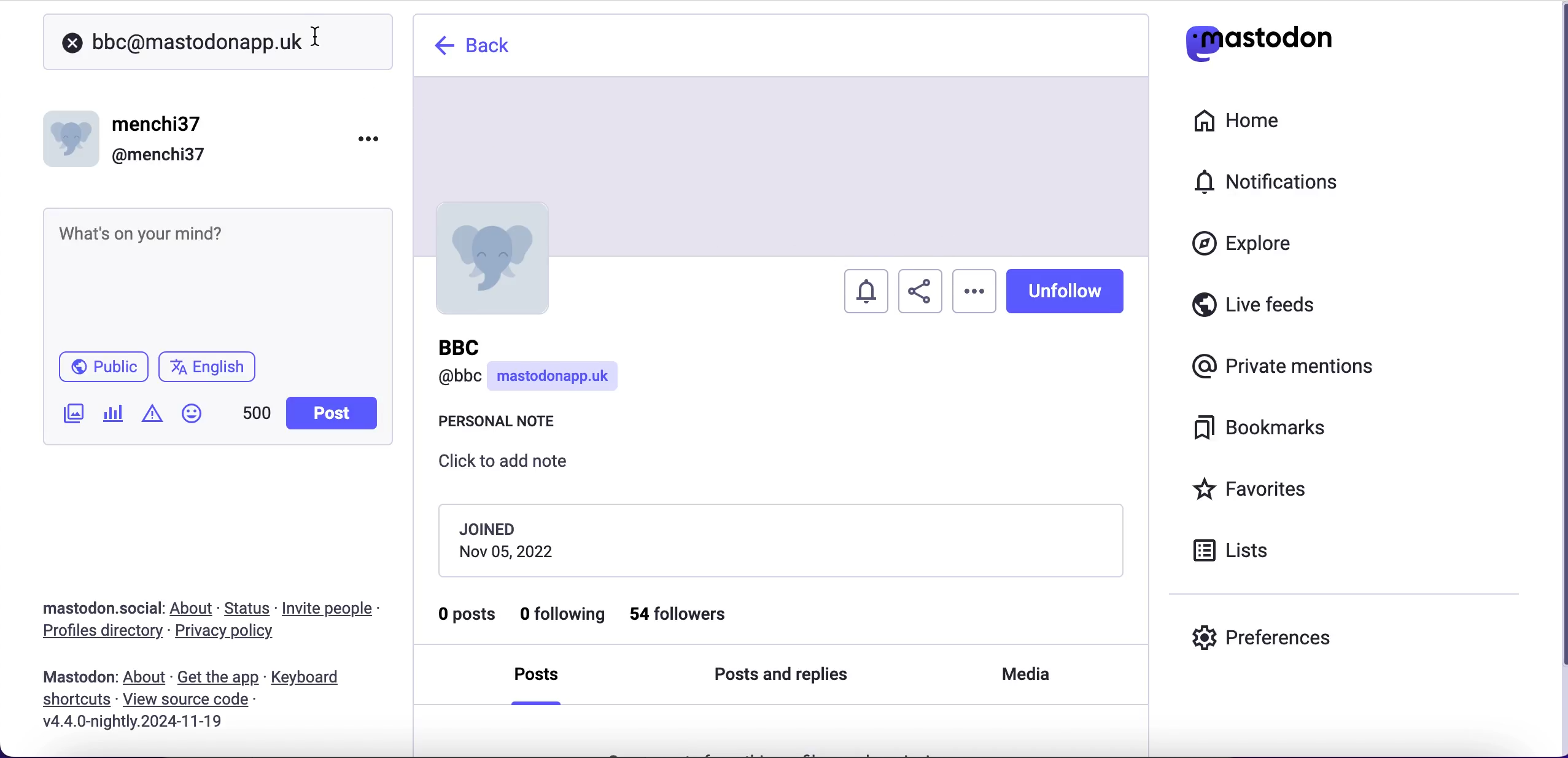 This screenshot has height=758, width=1568. I want to click on text cursor, so click(314, 34).